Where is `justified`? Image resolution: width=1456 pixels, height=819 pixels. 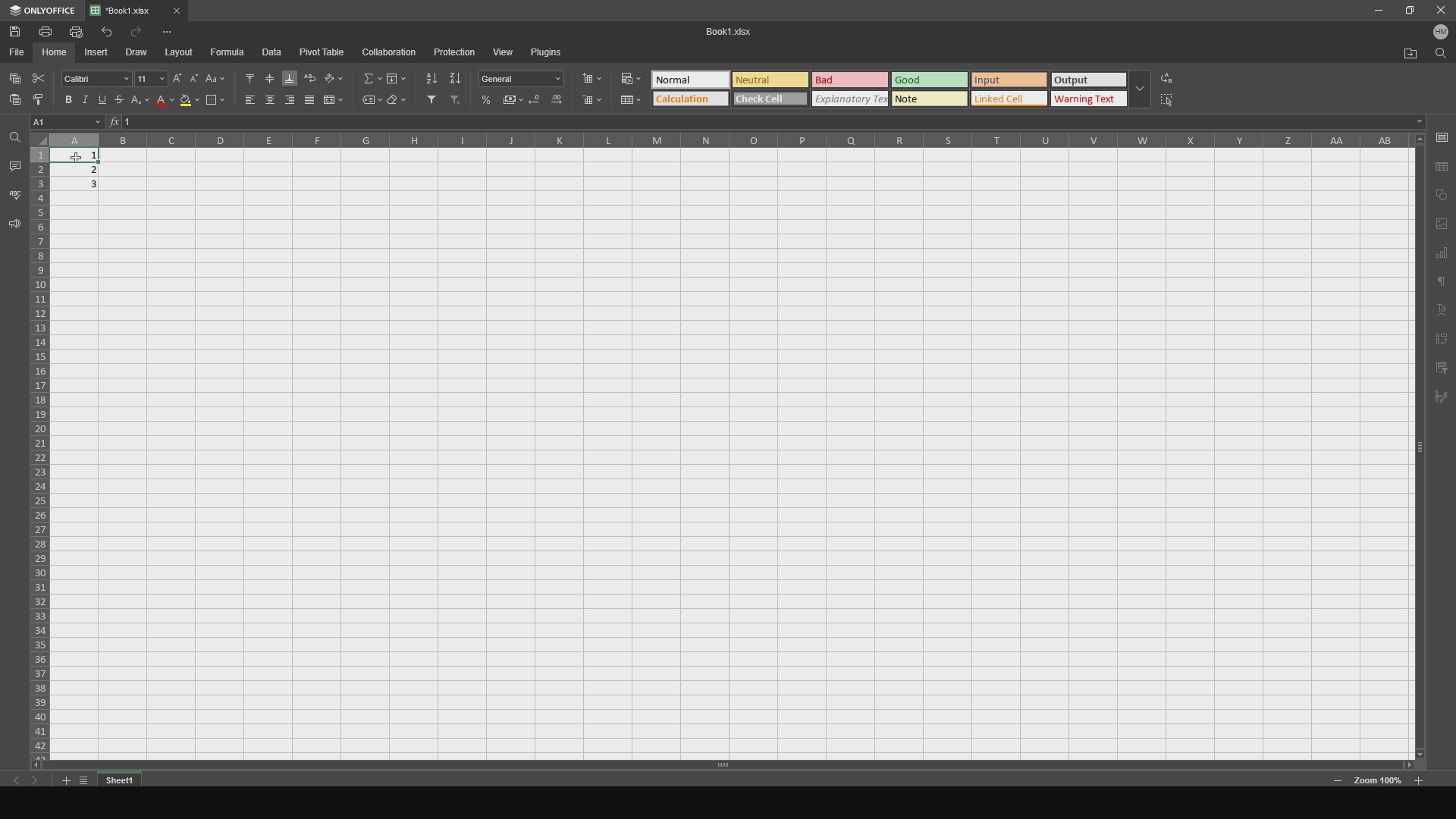 justified is located at coordinates (309, 101).